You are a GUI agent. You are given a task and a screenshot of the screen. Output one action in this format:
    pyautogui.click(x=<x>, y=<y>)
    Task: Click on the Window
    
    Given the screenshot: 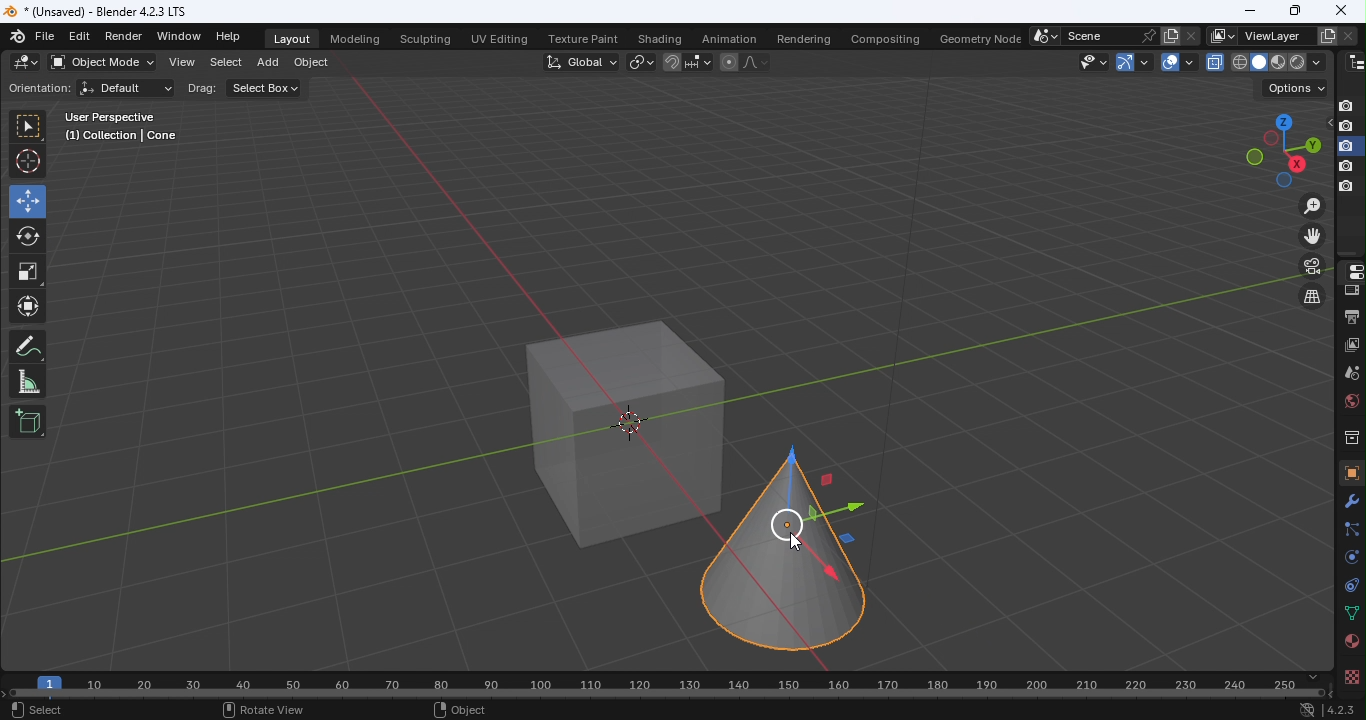 What is the action you would take?
    pyautogui.click(x=178, y=36)
    